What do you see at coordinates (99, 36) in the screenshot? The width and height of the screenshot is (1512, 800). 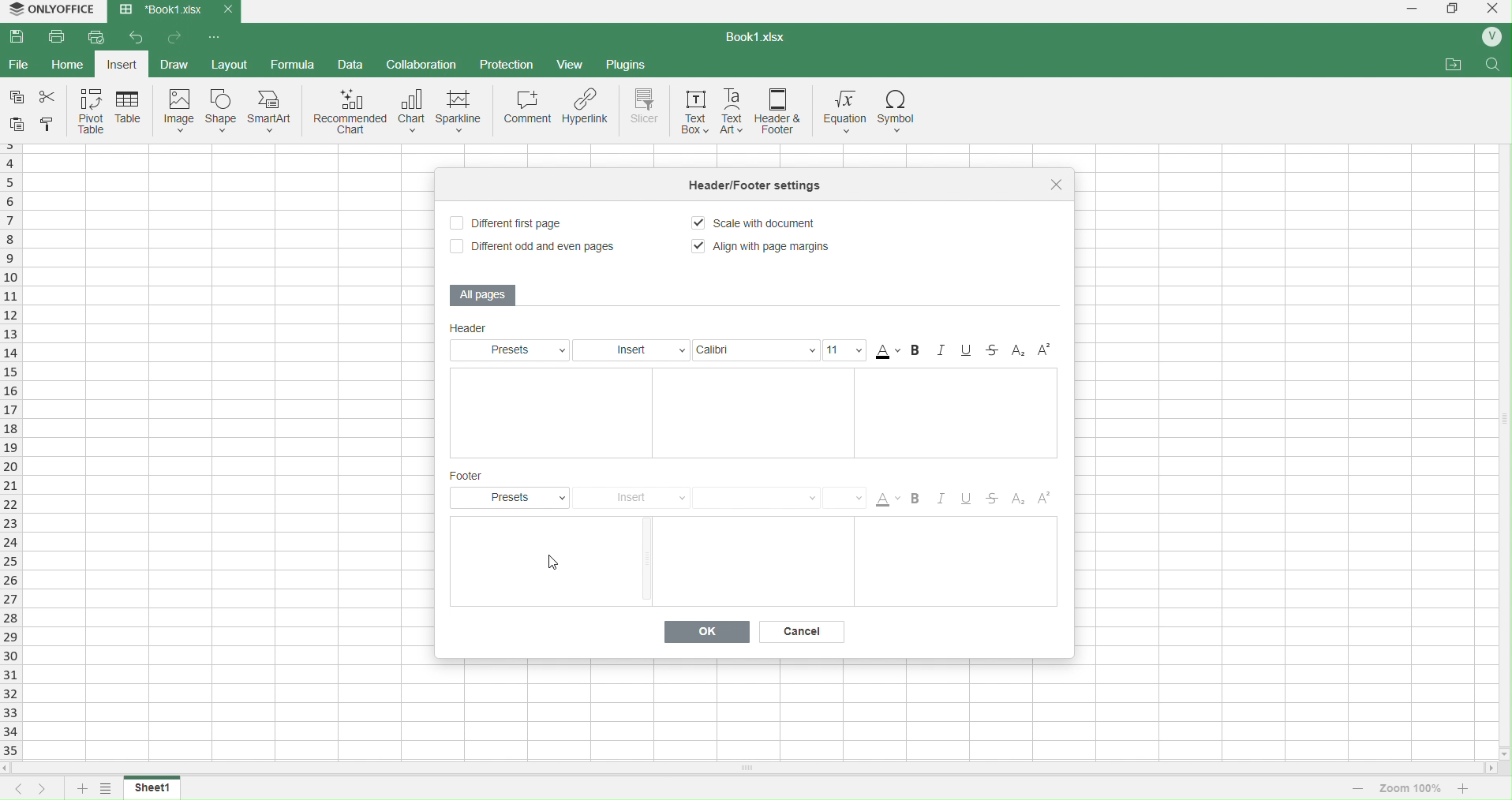 I see `quick print` at bounding box center [99, 36].